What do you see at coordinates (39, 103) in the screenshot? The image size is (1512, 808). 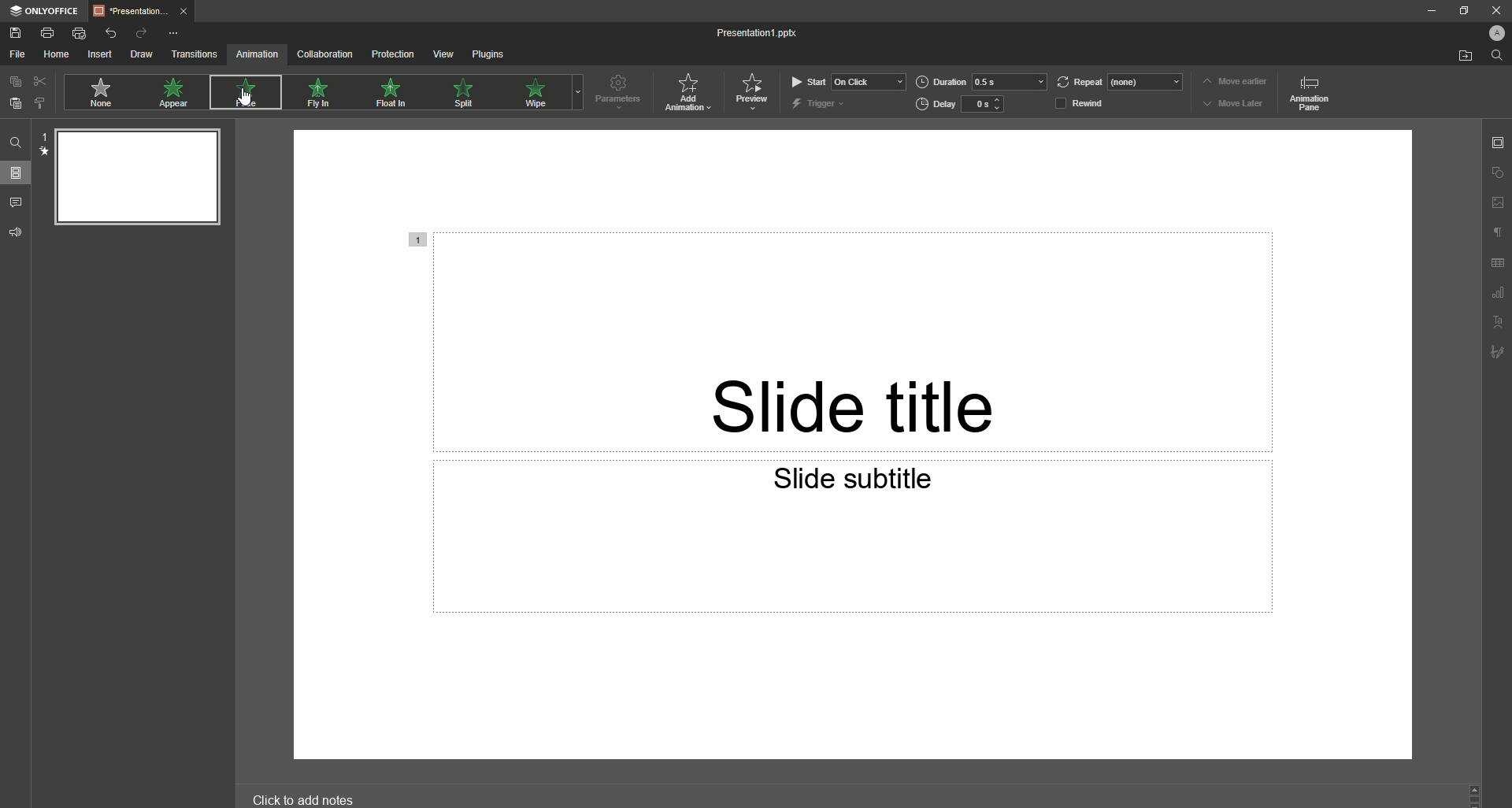 I see `Change Styles` at bounding box center [39, 103].